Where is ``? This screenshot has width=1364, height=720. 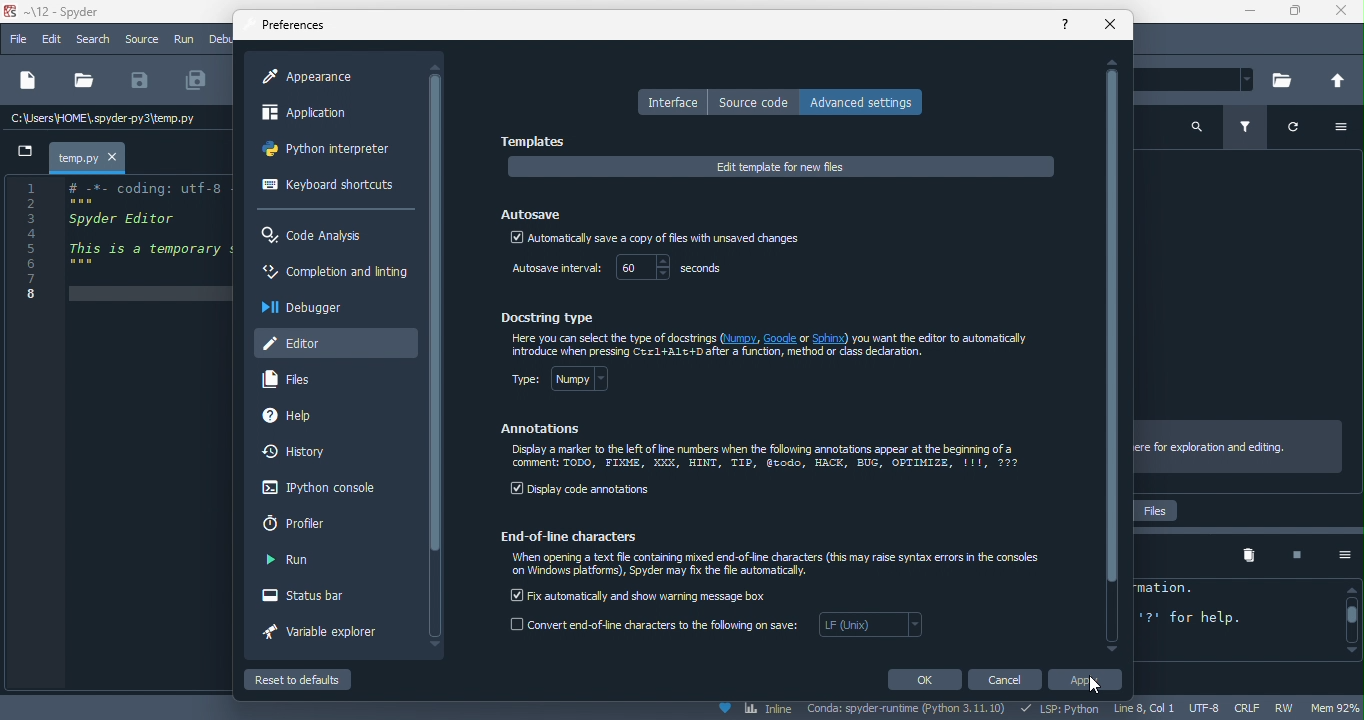  is located at coordinates (1291, 80).